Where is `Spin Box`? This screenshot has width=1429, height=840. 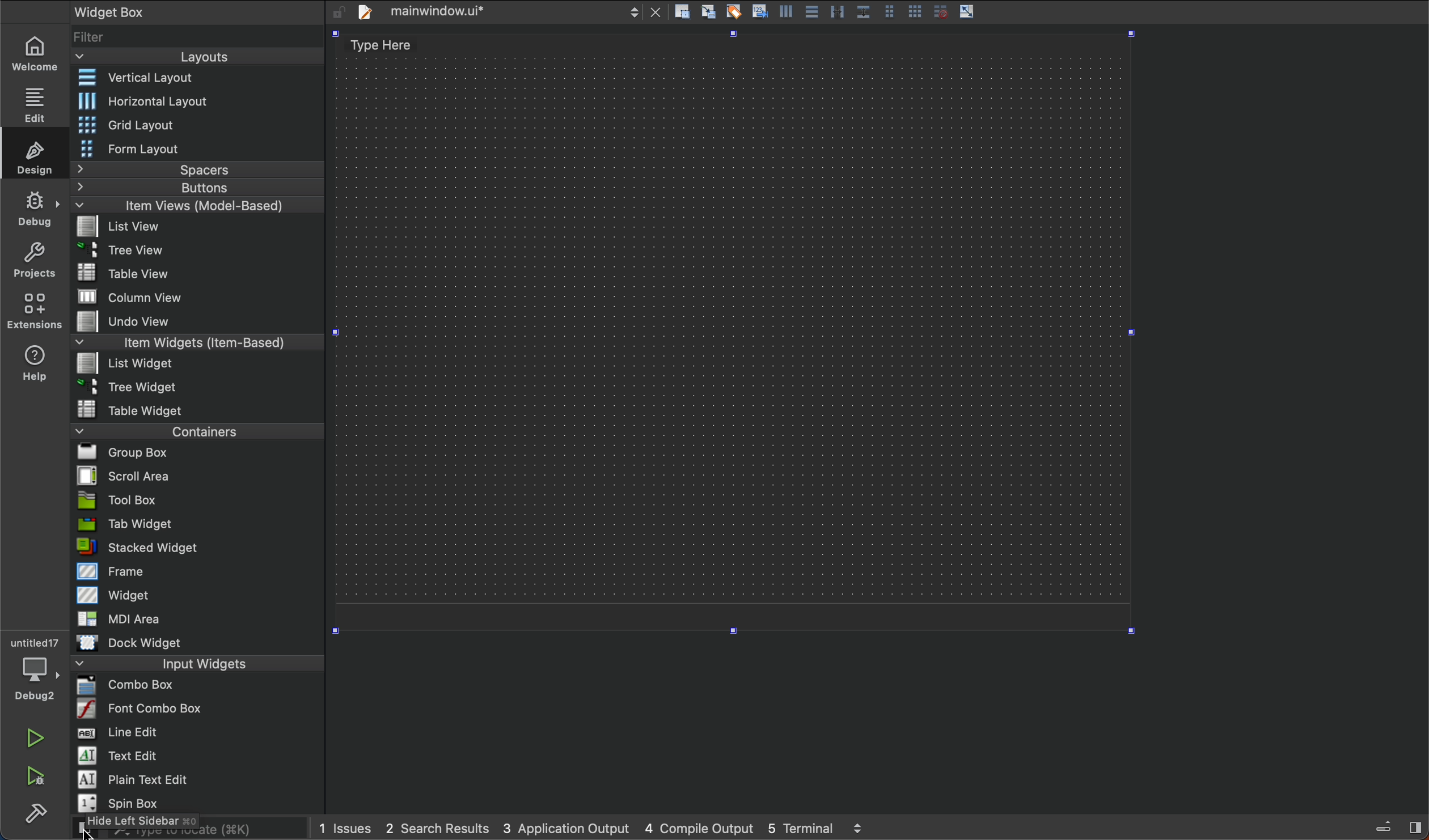 Spin Box is located at coordinates (122, 803).